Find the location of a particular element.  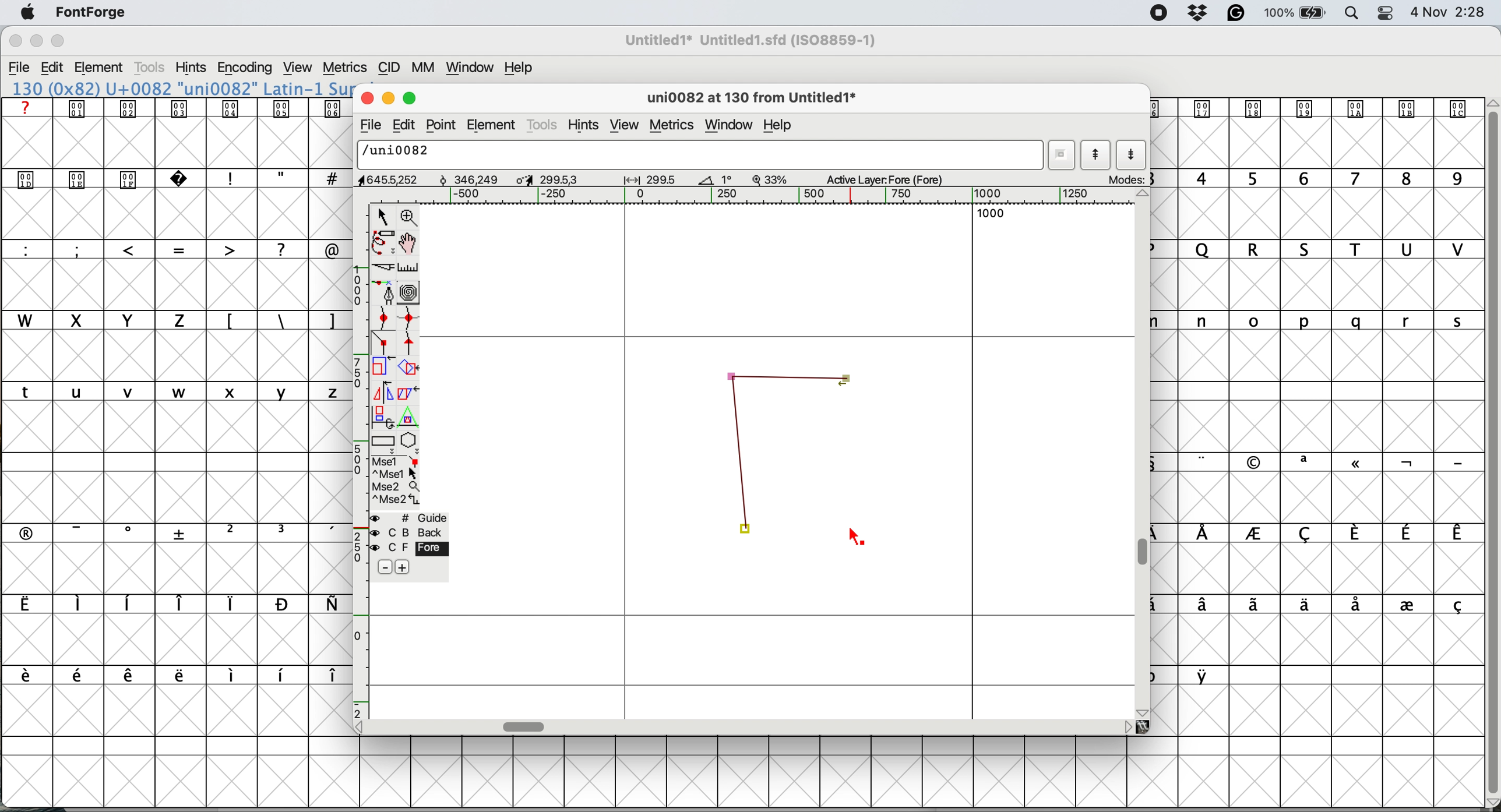

fontforge is located at coordinates (92, 12).